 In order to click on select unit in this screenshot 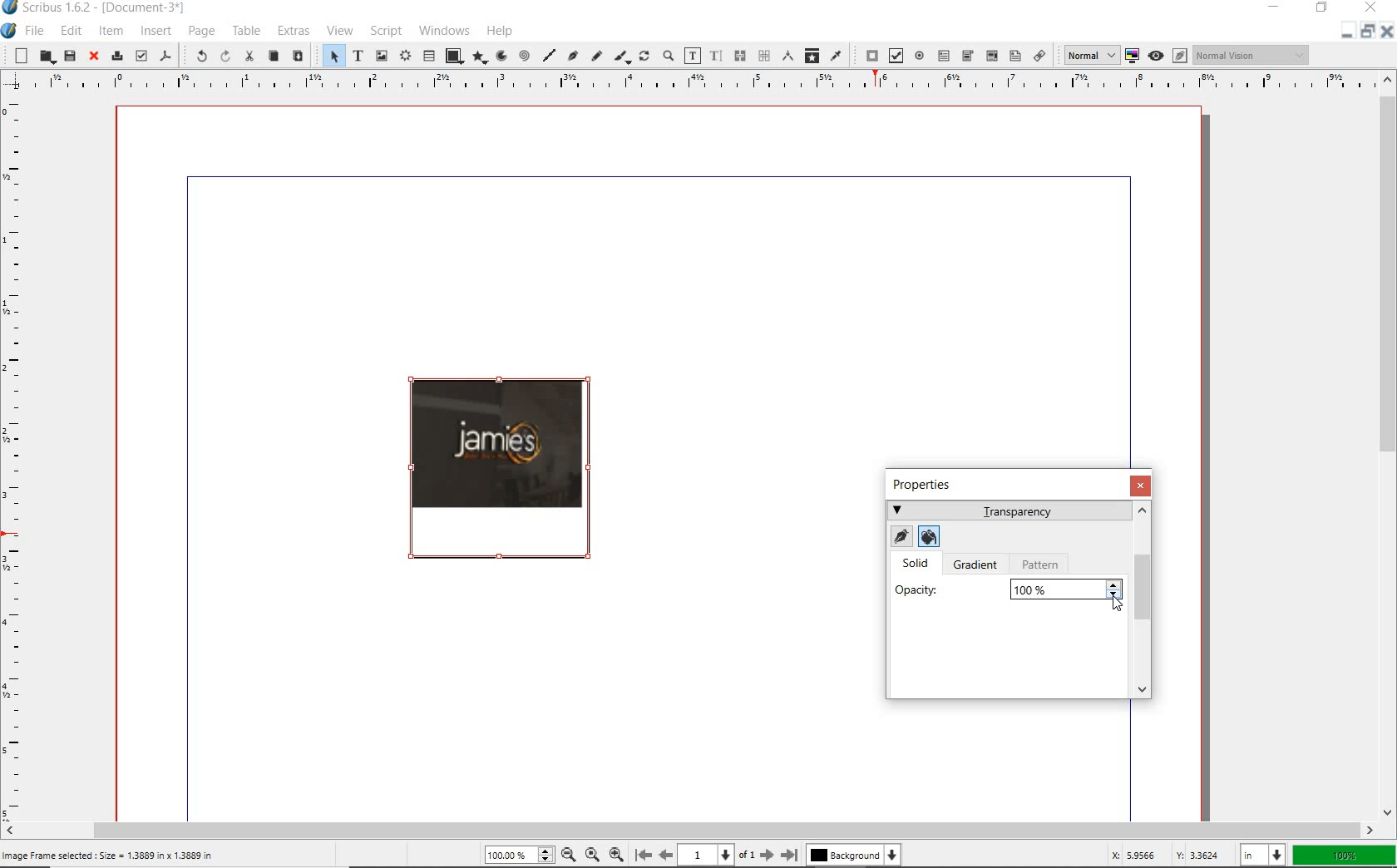, I will do `click(1261, 855)`.